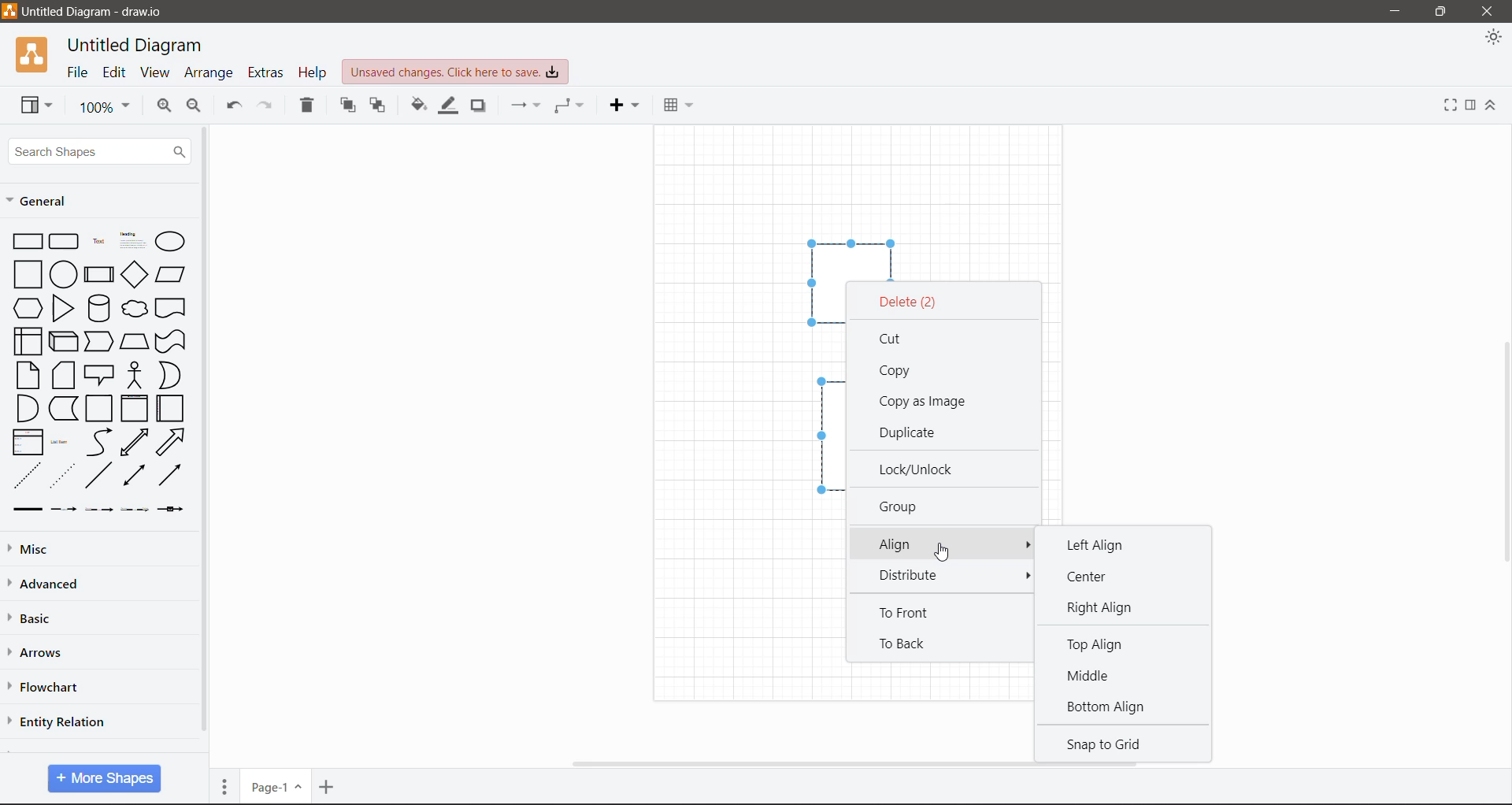 The width and height of the screenshot is (1512, 805). What do you see at coordinates (115, 73) in the screenshot?
I see `Edit` at bounding box center [115, 73].